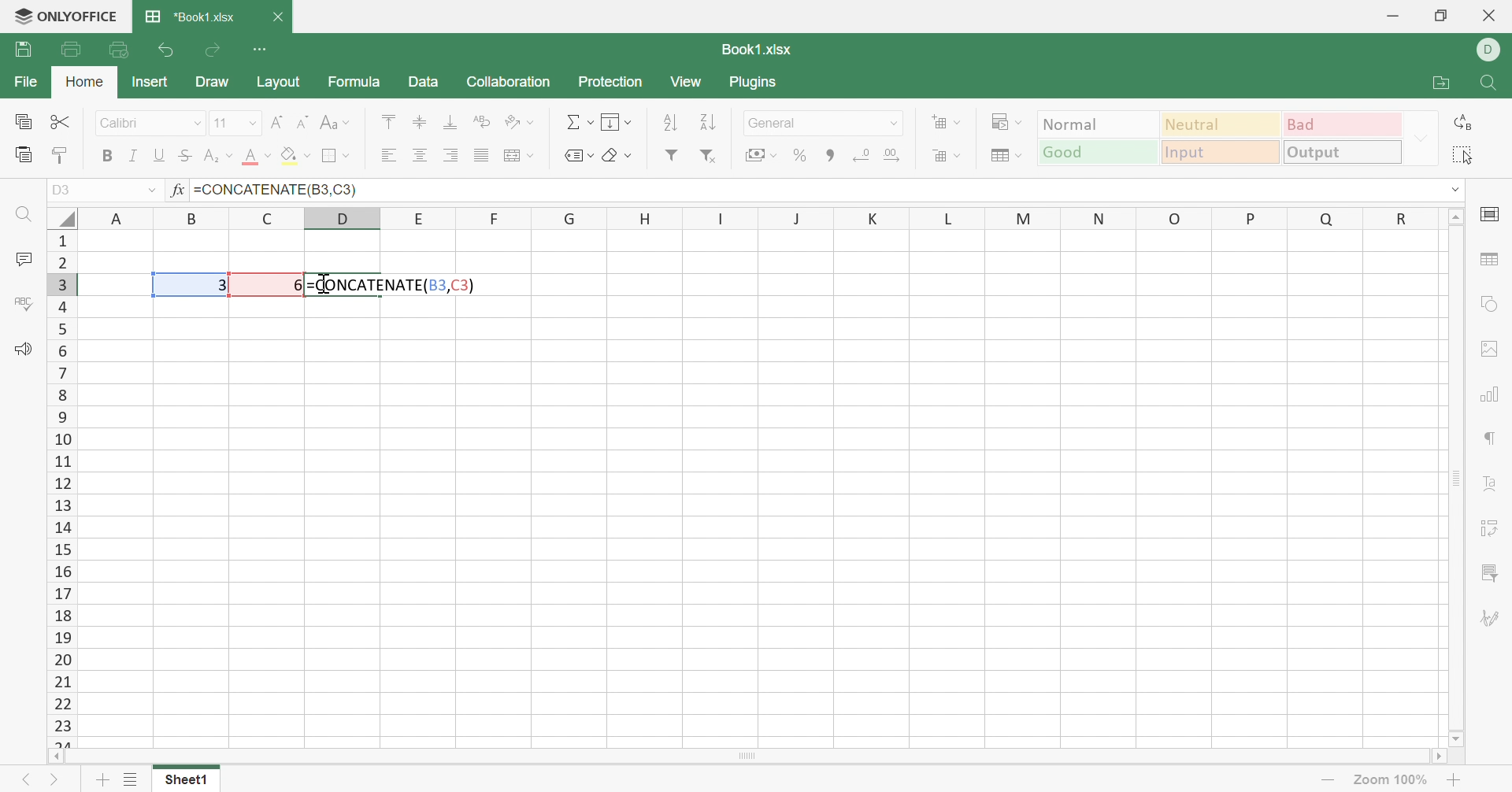 This screenshot has height=792, width=1512. I want to click on Redo, so click(213, 50).